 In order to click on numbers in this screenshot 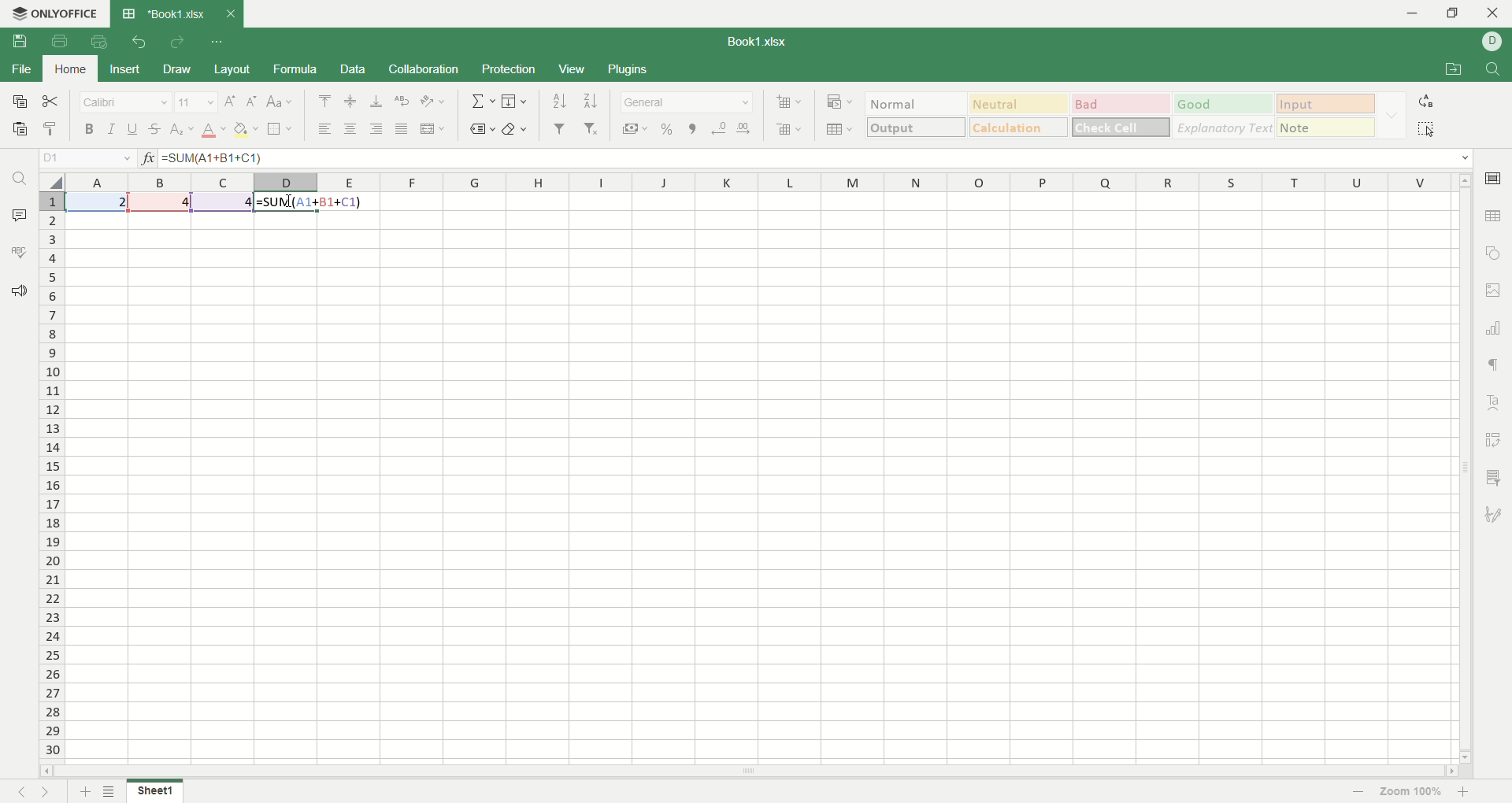, I will do `click(161, 202)`.